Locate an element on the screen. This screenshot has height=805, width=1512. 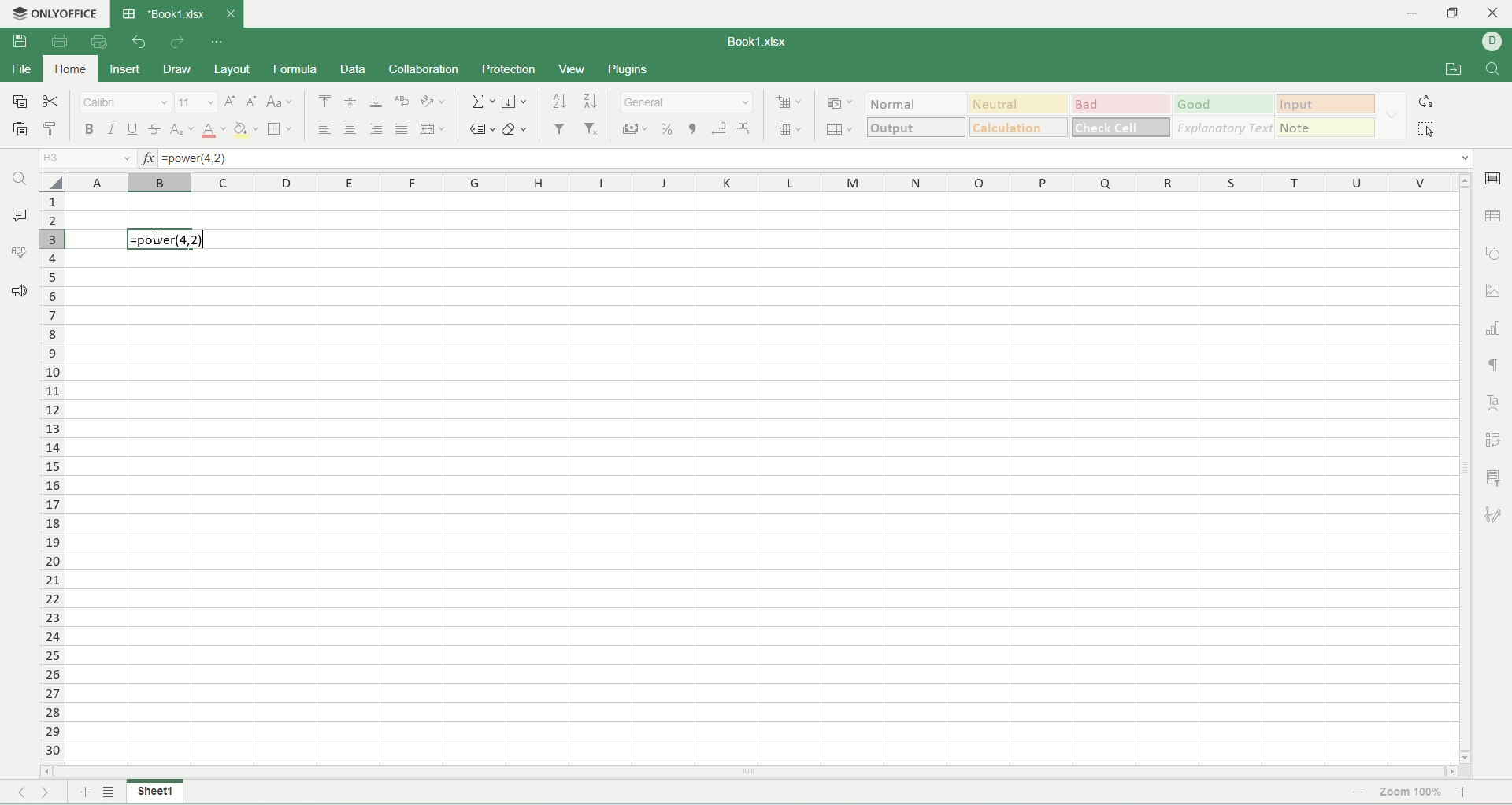
italic is located at coordinates (111, 130).